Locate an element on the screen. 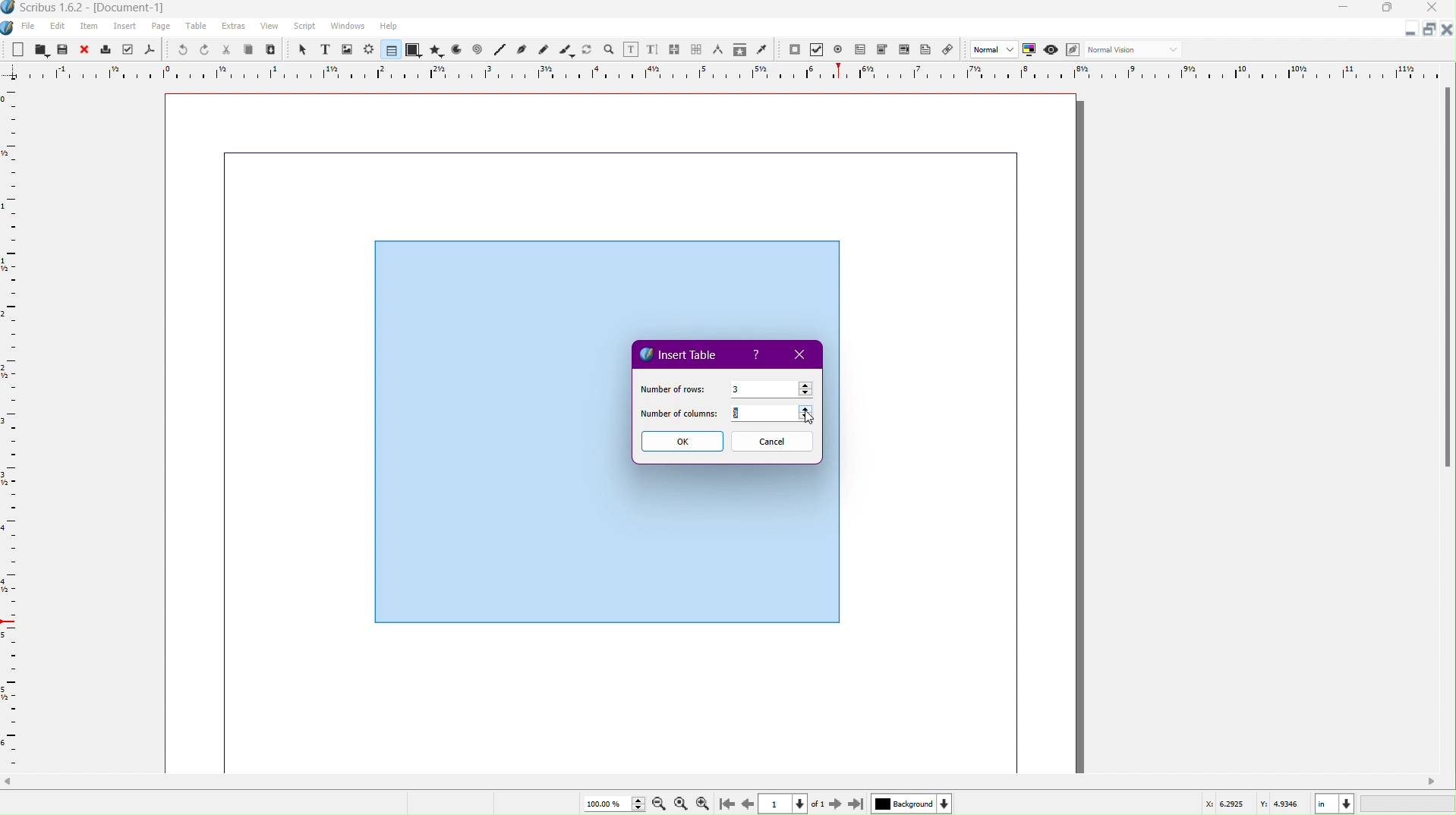 Image resolution: width=1456 pixels, height=815 pixels. Render Frame is located at coordinates (370, 49).